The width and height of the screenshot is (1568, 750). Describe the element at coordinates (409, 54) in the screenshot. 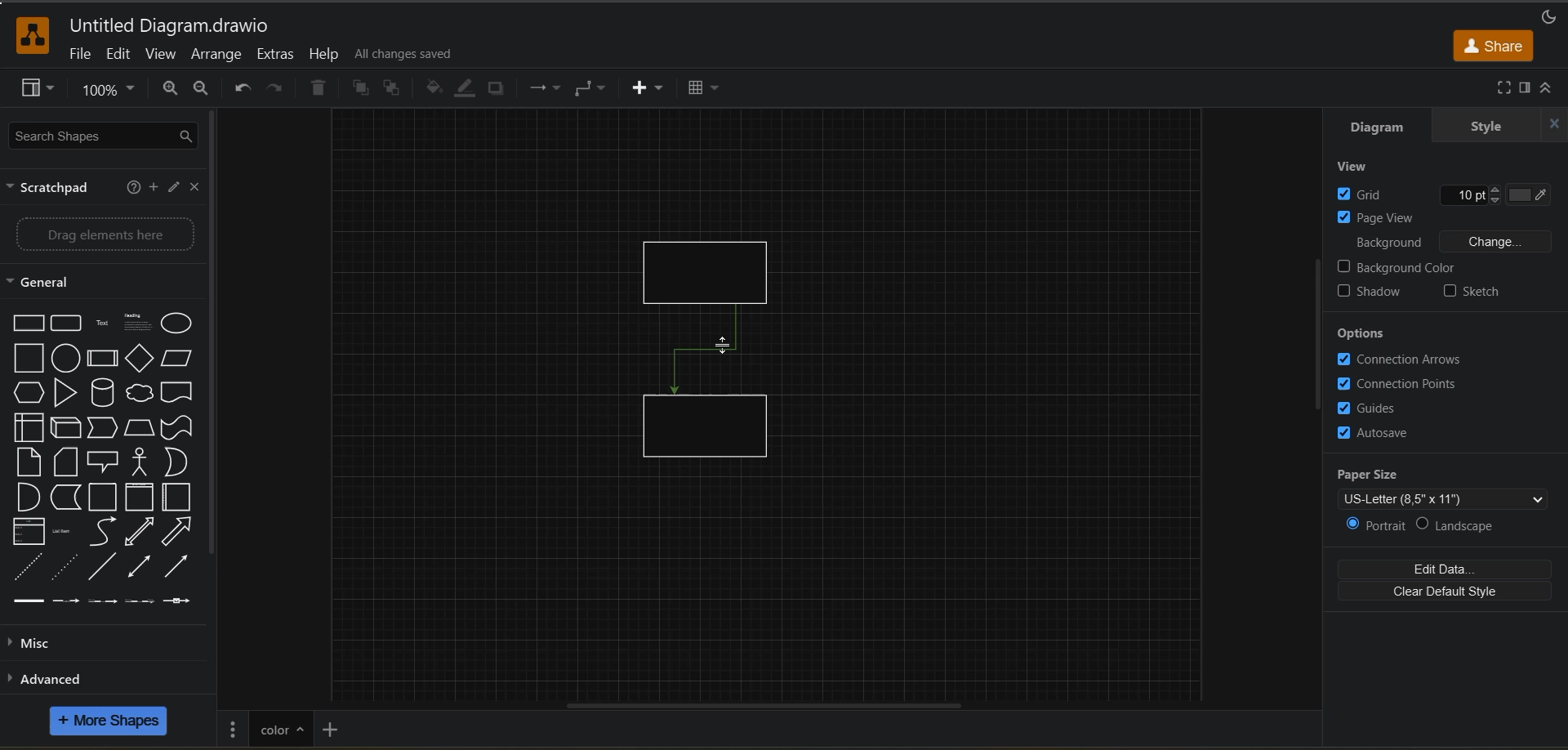

I see `all changes saved` at that location.